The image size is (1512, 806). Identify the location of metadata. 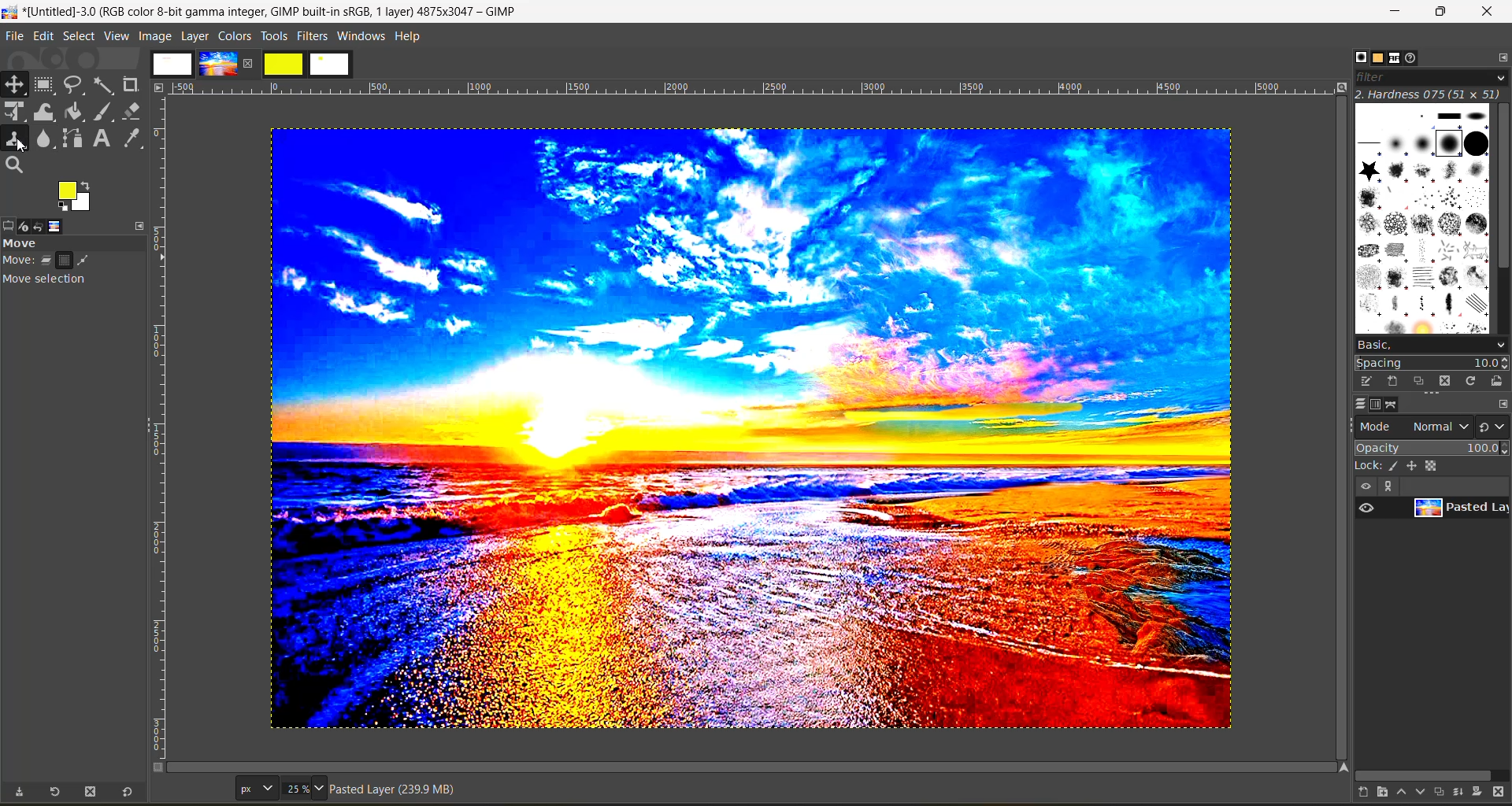
(398, 791).